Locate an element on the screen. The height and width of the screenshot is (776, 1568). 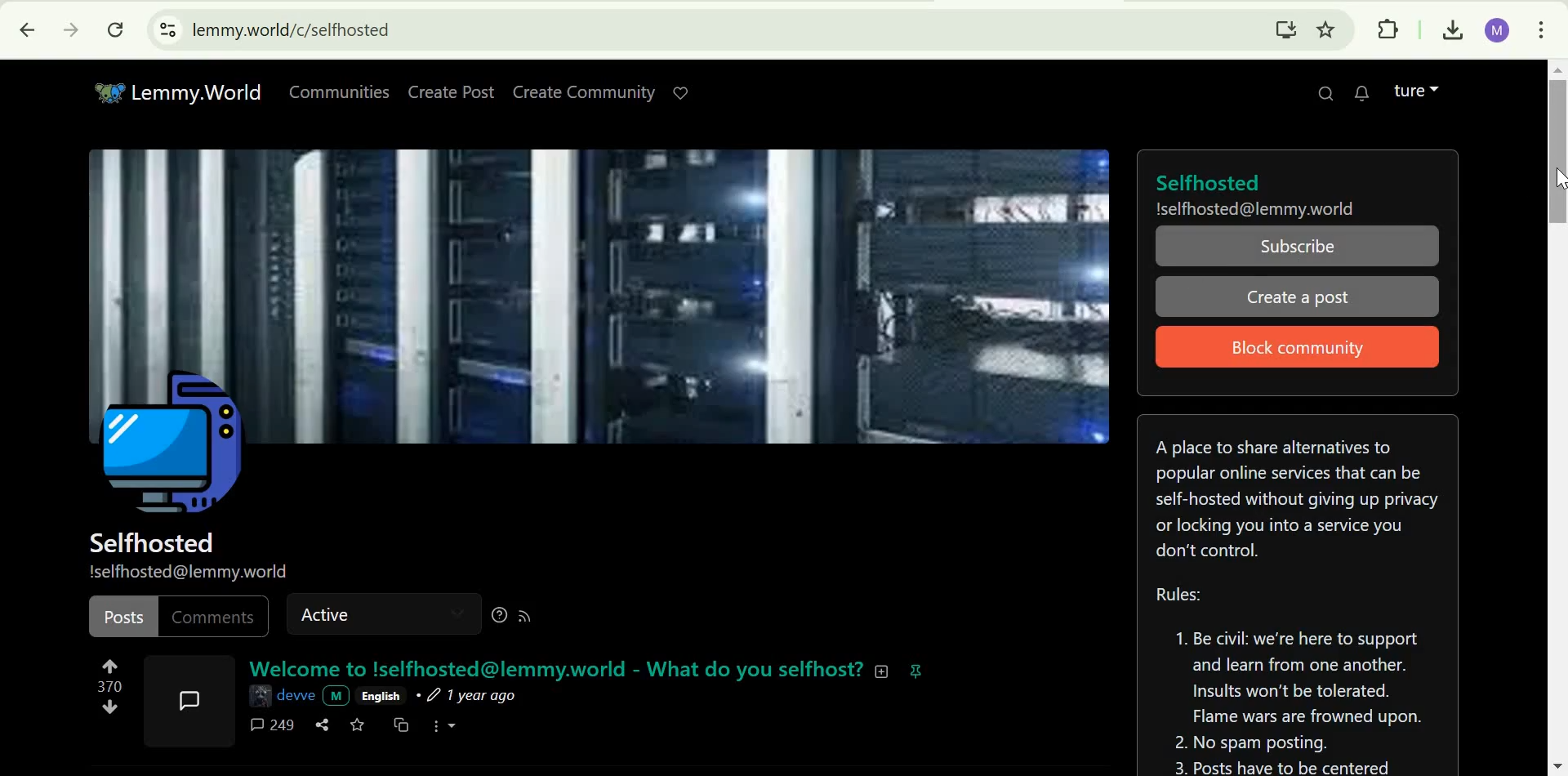
upvote is located at coordinates (109, 665).